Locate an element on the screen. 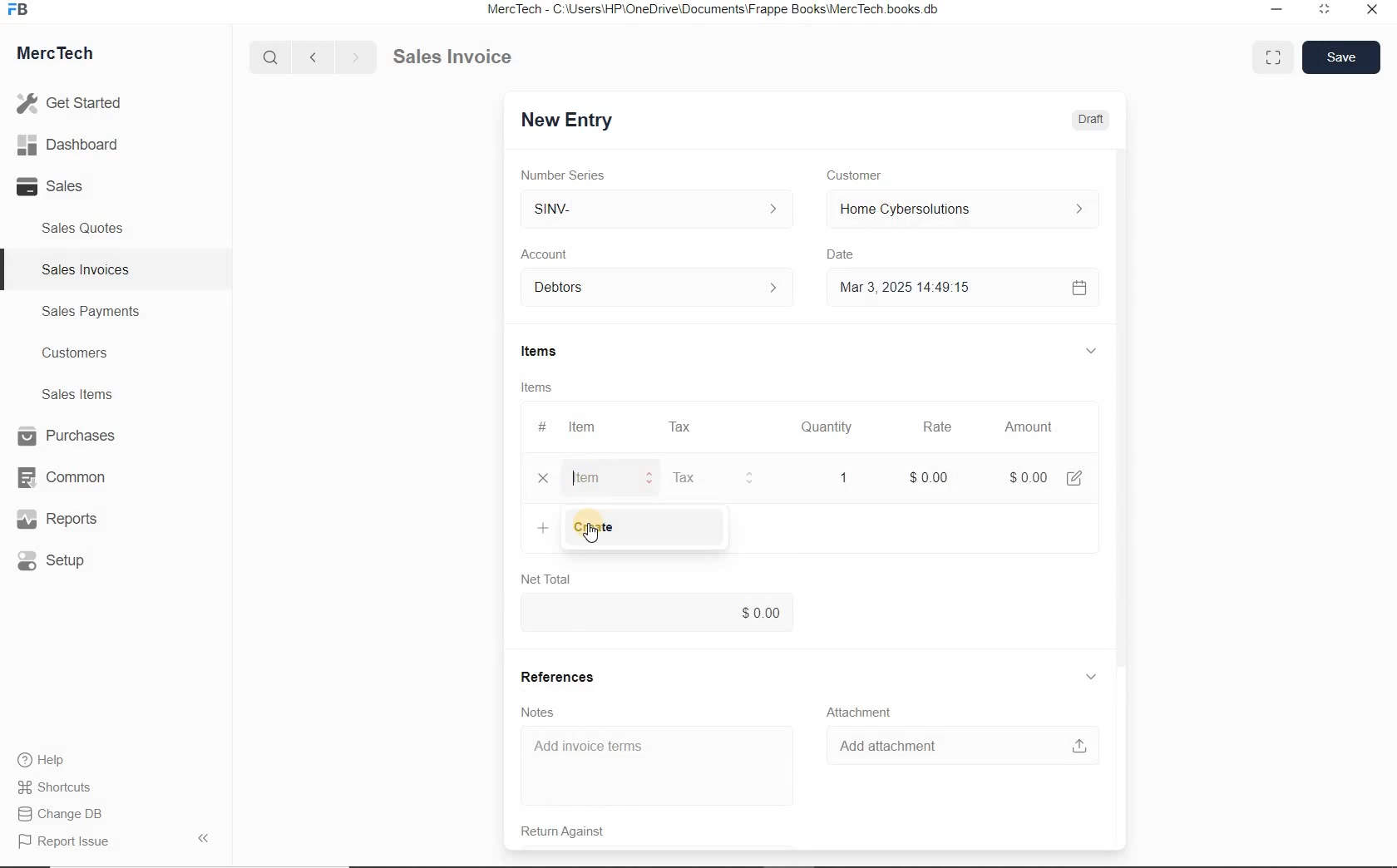 This screenshot has width=1397, height=868. Quantity is located at coordinates (822, 430).